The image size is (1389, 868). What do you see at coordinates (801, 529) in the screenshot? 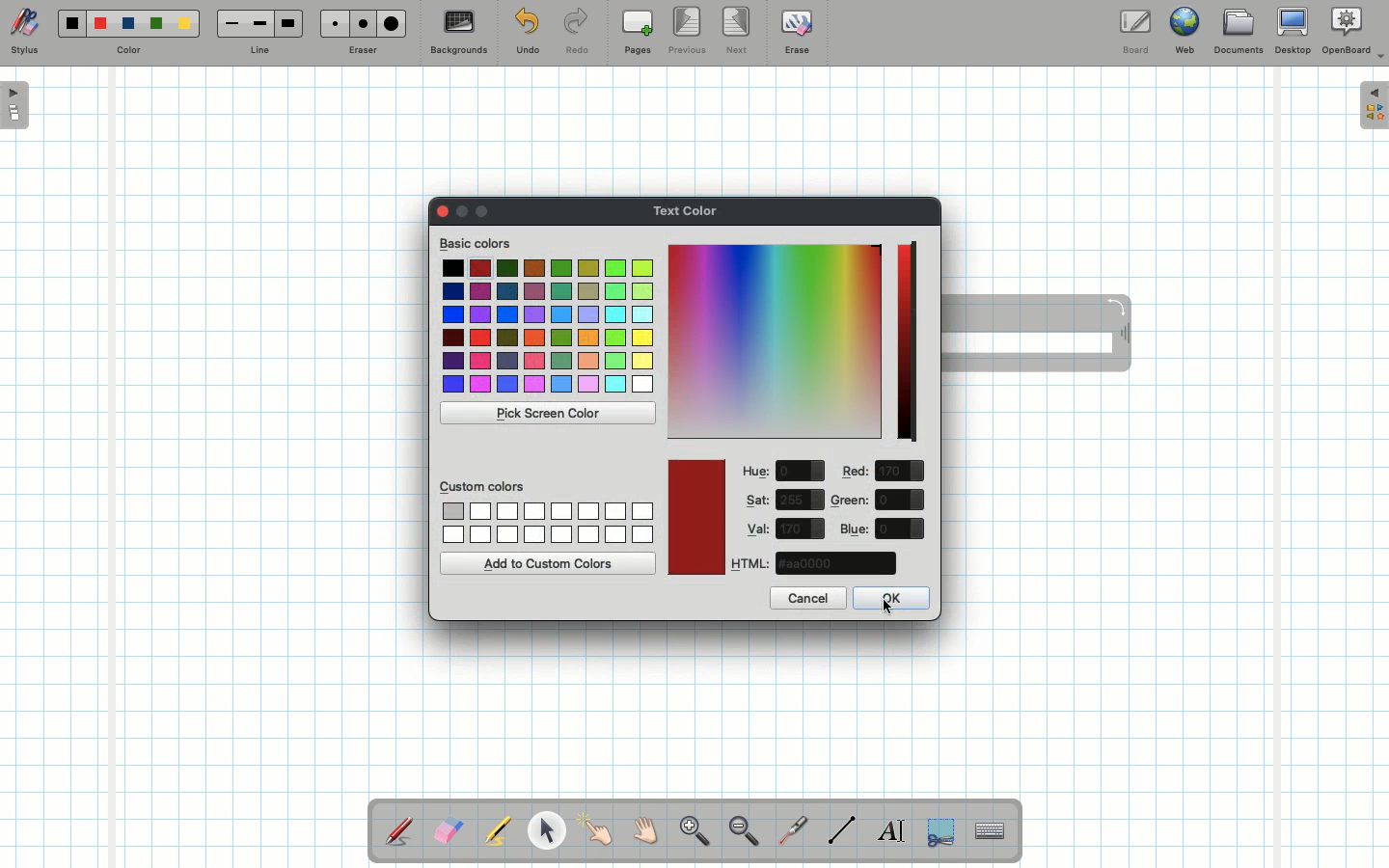
I see `value` at bounding box center [801, 529].